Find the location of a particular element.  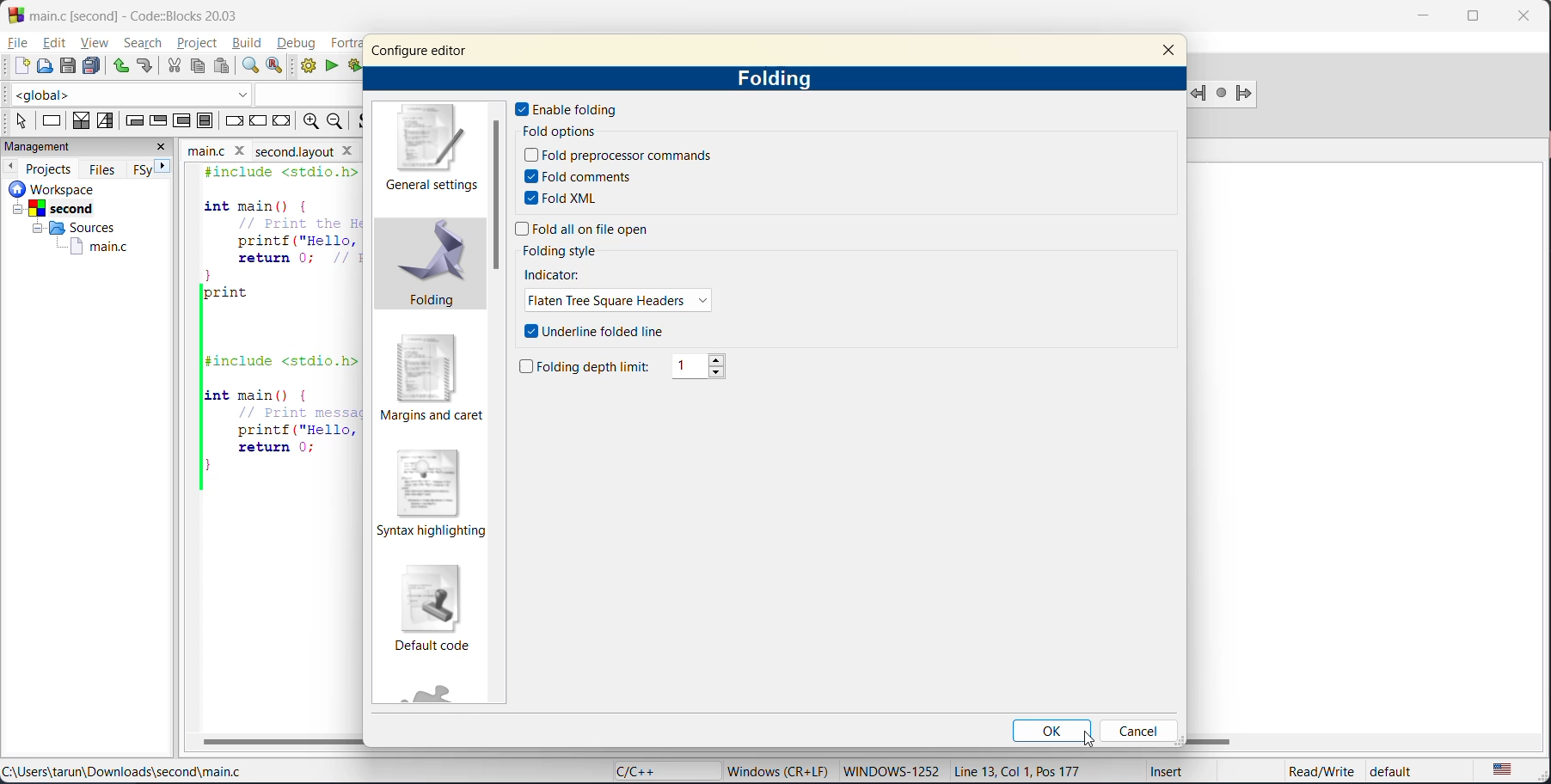

close is located at coordinates (1518, 19).